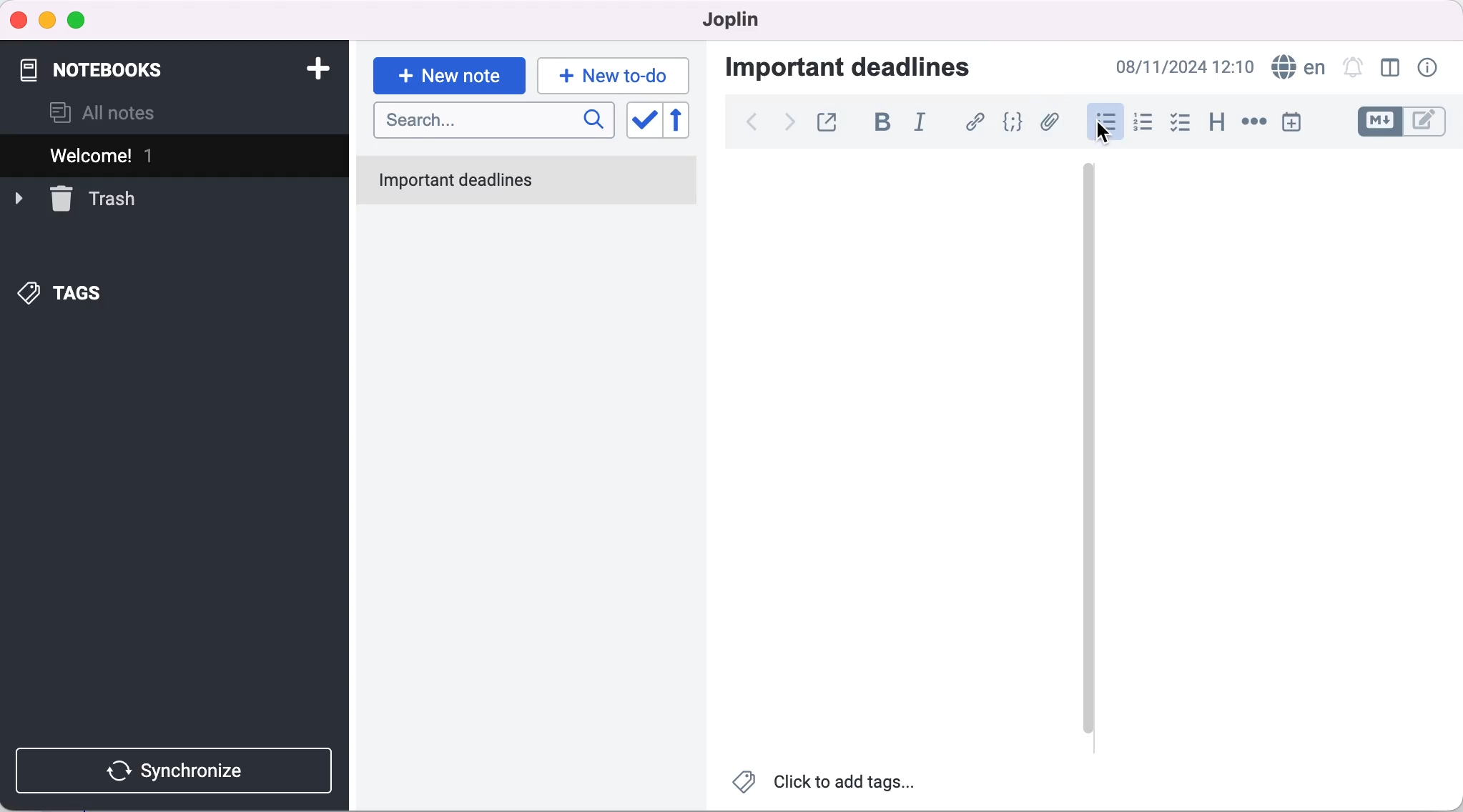 The image size is (1463, 812). Describe the element at coordinates (880, 455) in the screenshot. I see `blank canvas` at that location.